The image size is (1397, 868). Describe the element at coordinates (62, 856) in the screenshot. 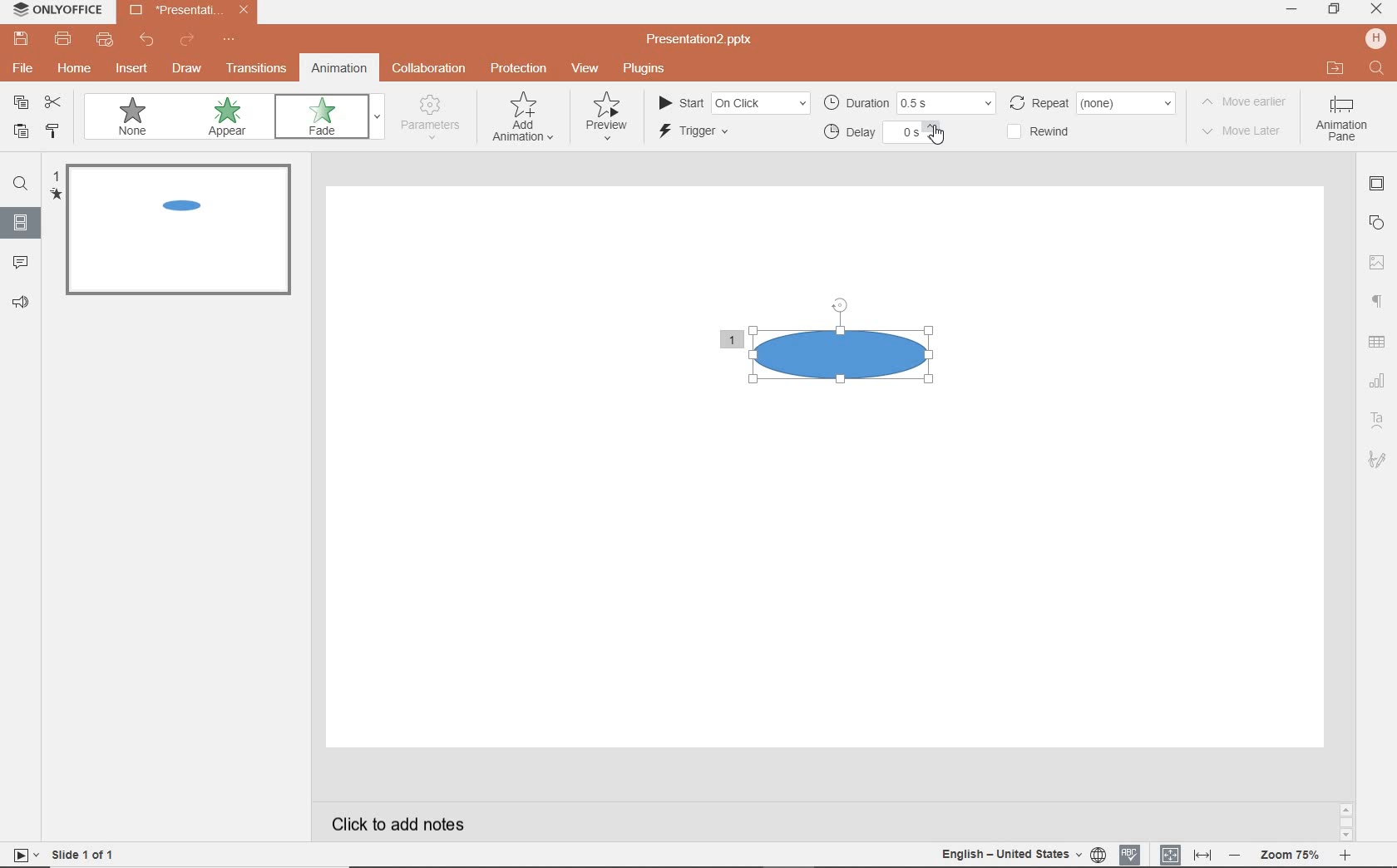

I see `slide 1 of 1` at that location.